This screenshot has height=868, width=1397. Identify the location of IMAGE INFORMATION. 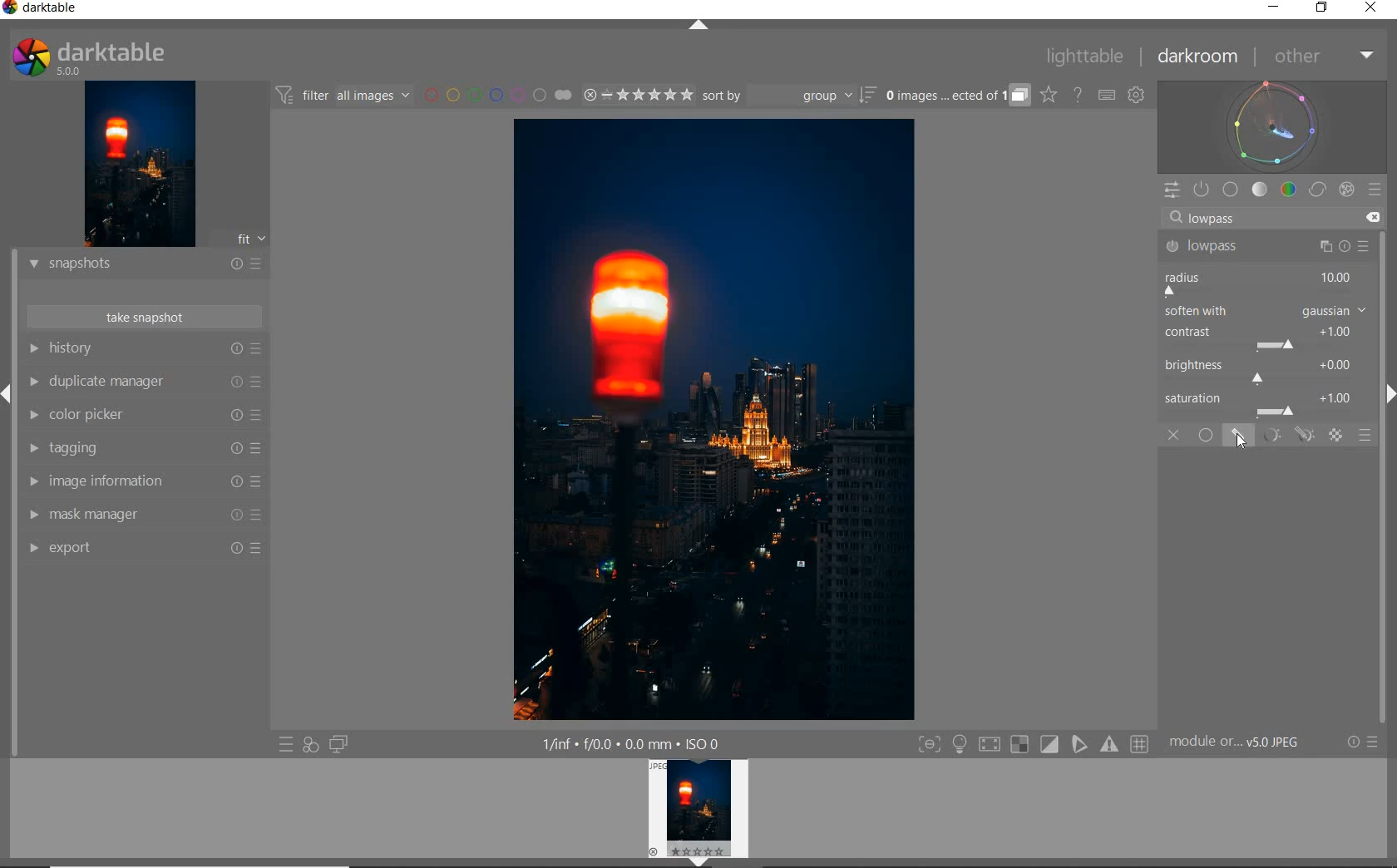
(116, 483).